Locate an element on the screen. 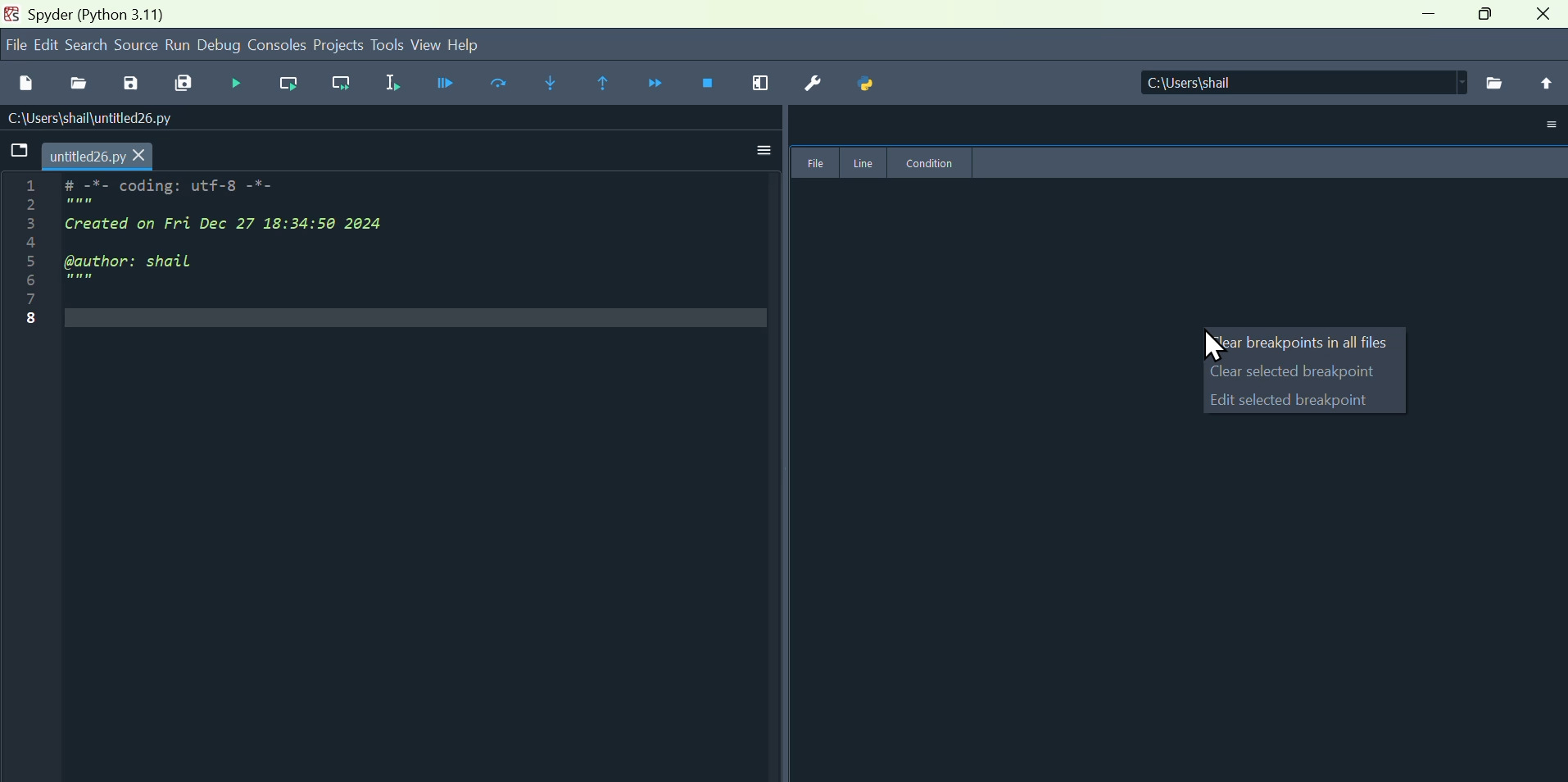 This screenshot has height=782, width=1568. Continue execution until same function returns is located at coordinates (610, 83).